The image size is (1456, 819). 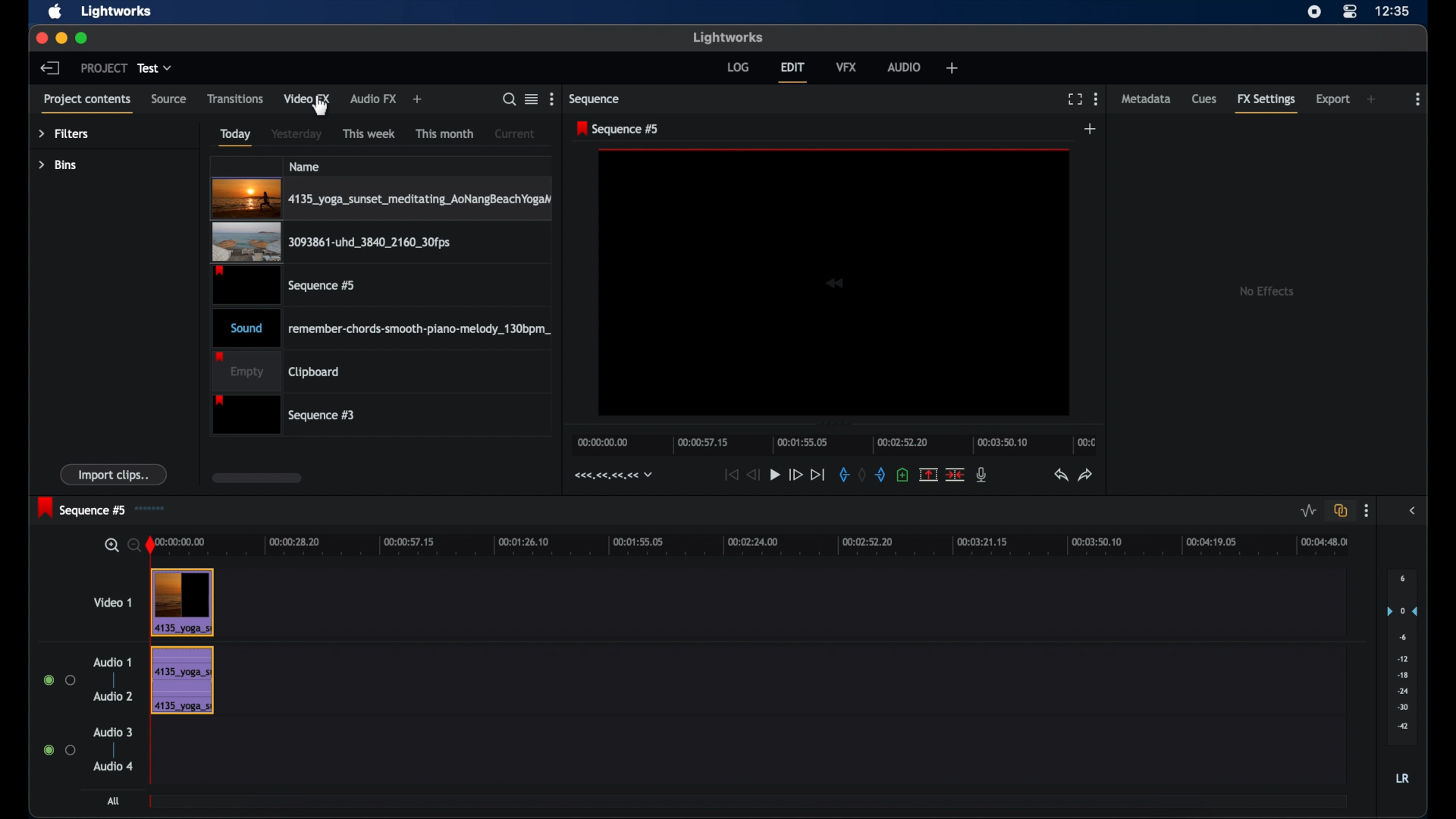 I want to click on audio, so click(x=904, y=66).